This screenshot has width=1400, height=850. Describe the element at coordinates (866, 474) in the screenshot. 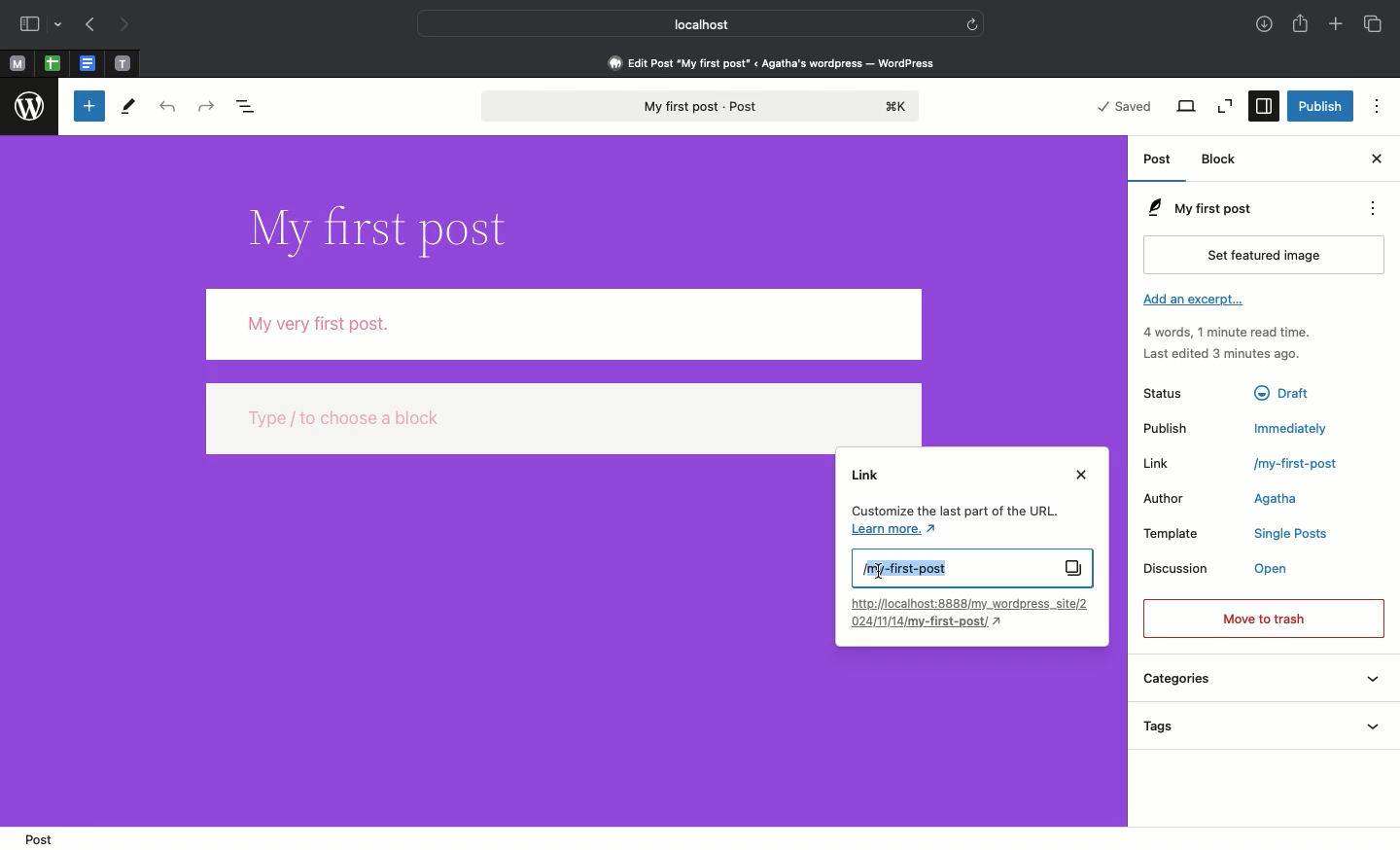

I see `Link` at that location.